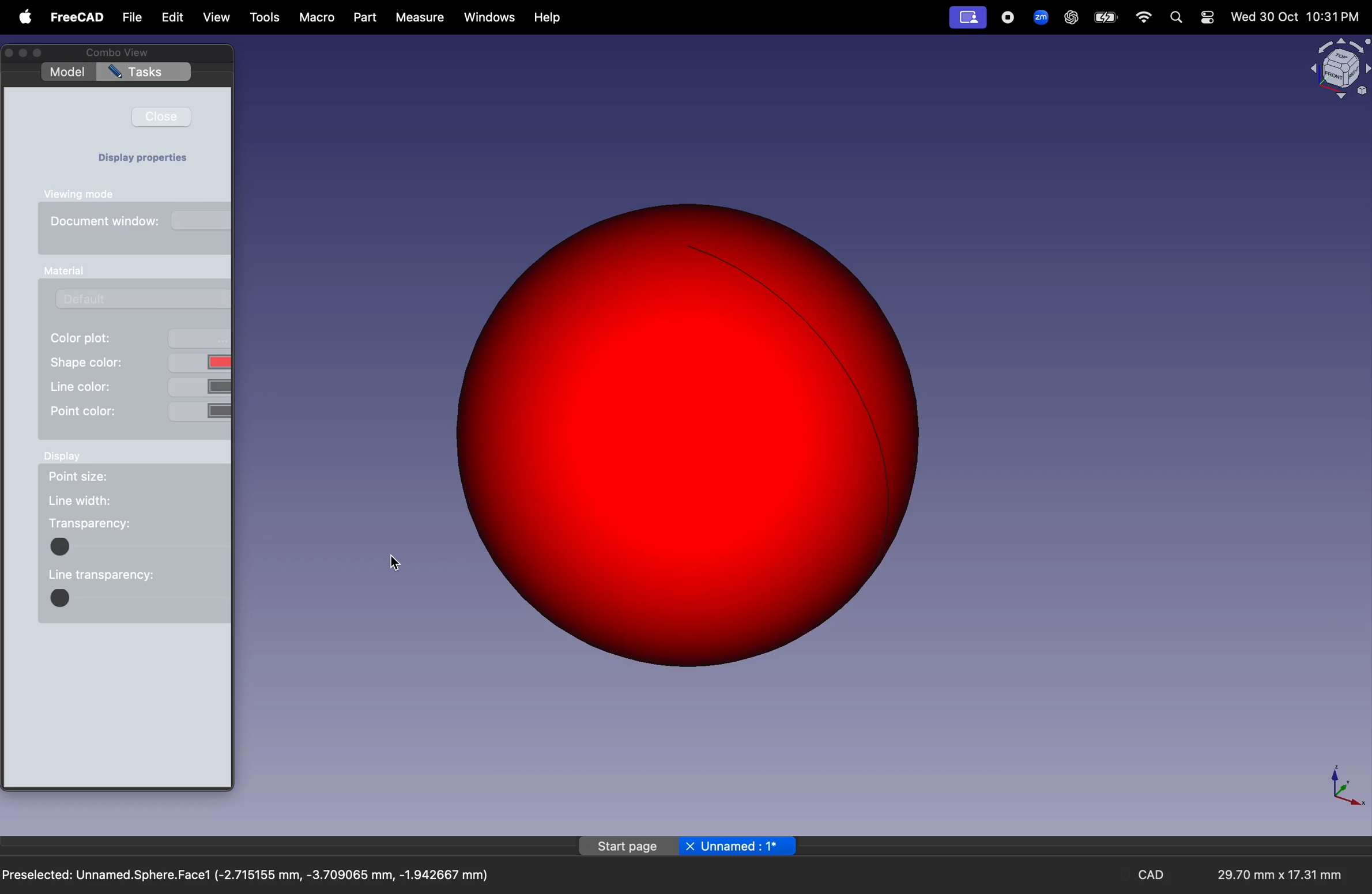  What do you see at coordinates (140, 387) in the screenshot?
I see `line color` at bounding box center [140, 387].